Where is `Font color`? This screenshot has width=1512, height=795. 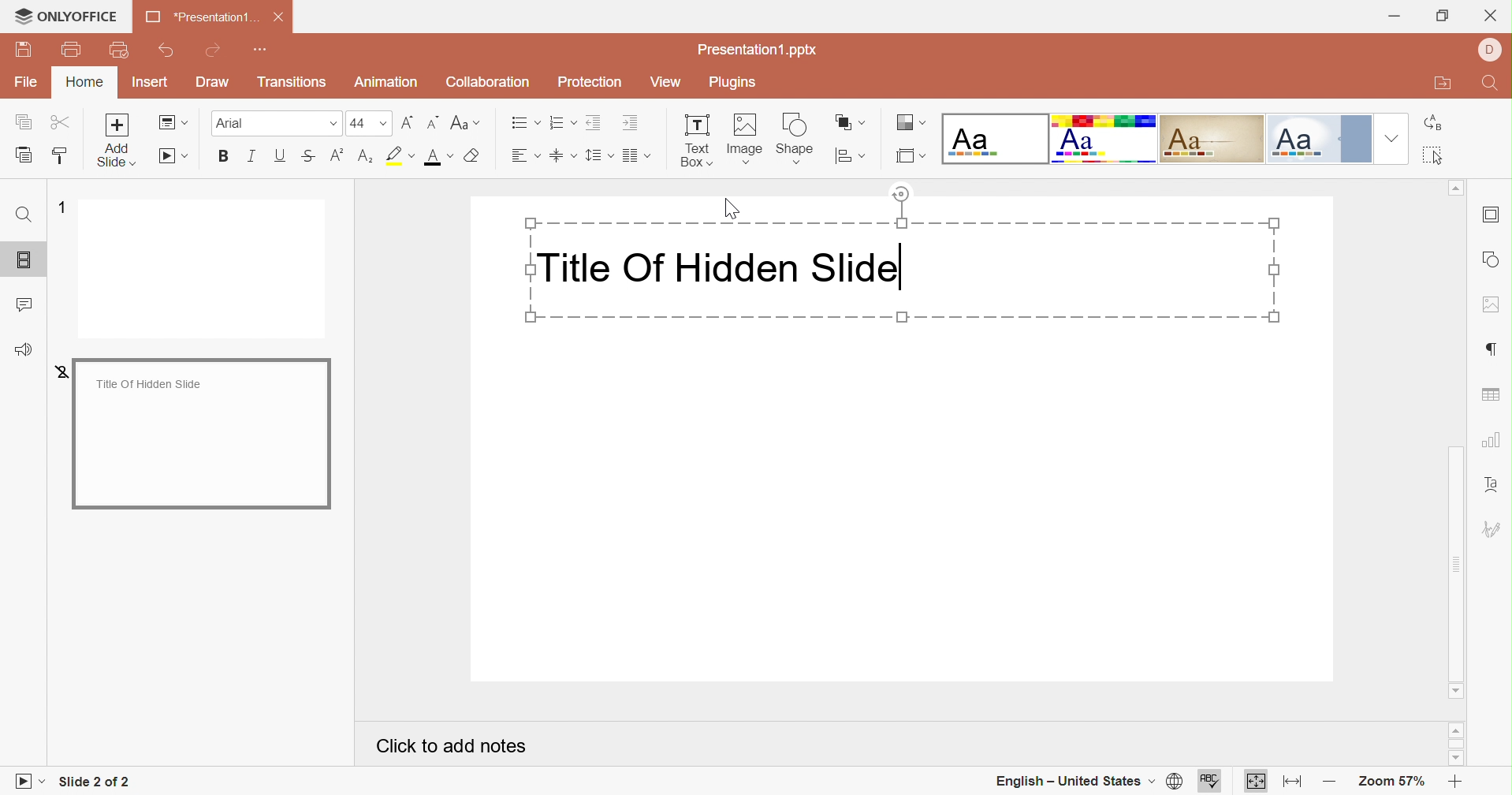 Font color is located at coordinates (438, 159).